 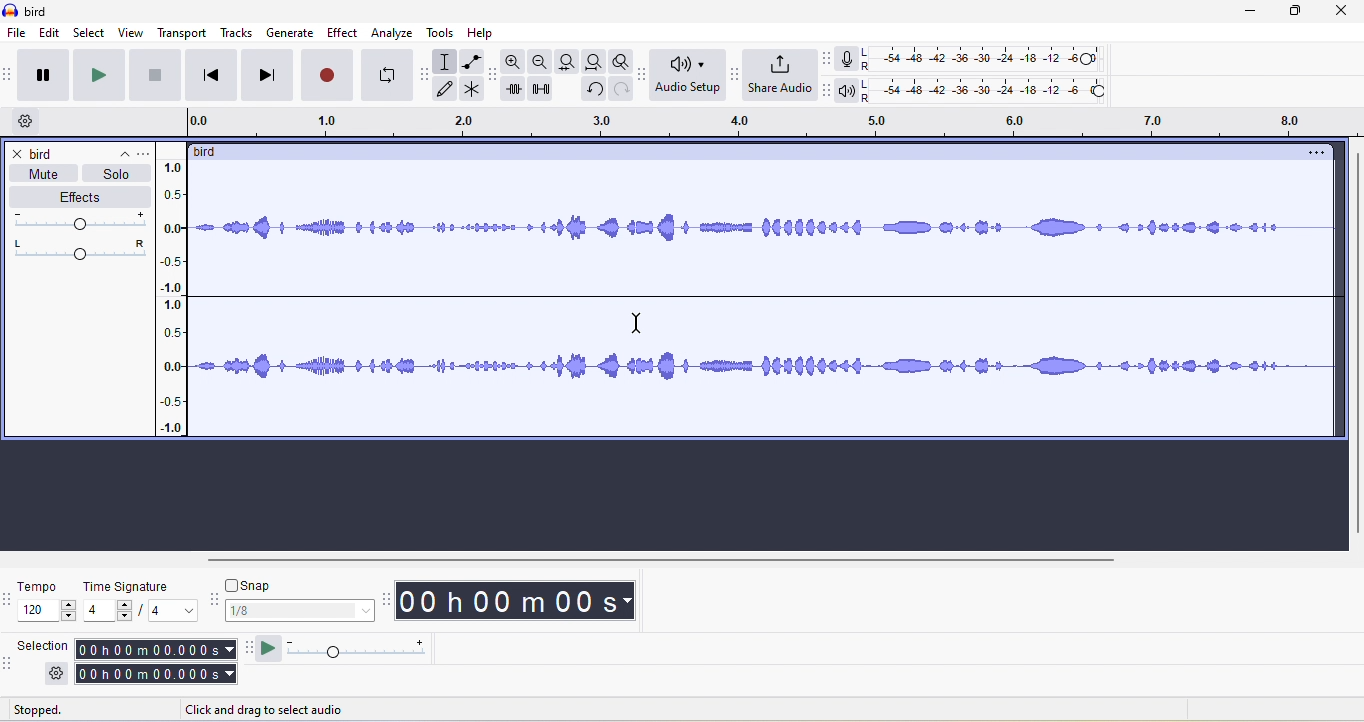 I want to click on audacity edit toolbar, so click(x=495, y=78).